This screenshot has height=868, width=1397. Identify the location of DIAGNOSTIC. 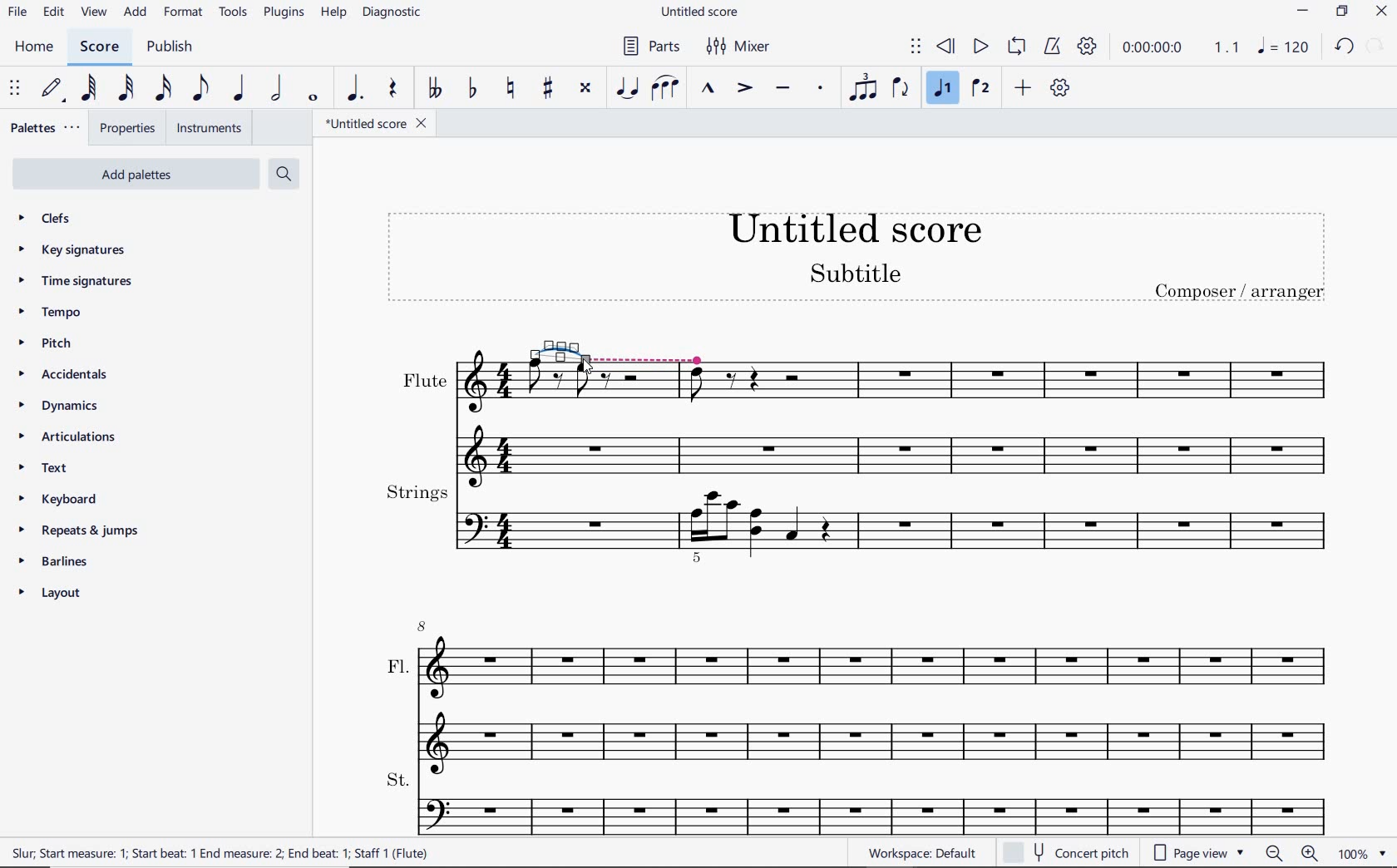
(398, 13).